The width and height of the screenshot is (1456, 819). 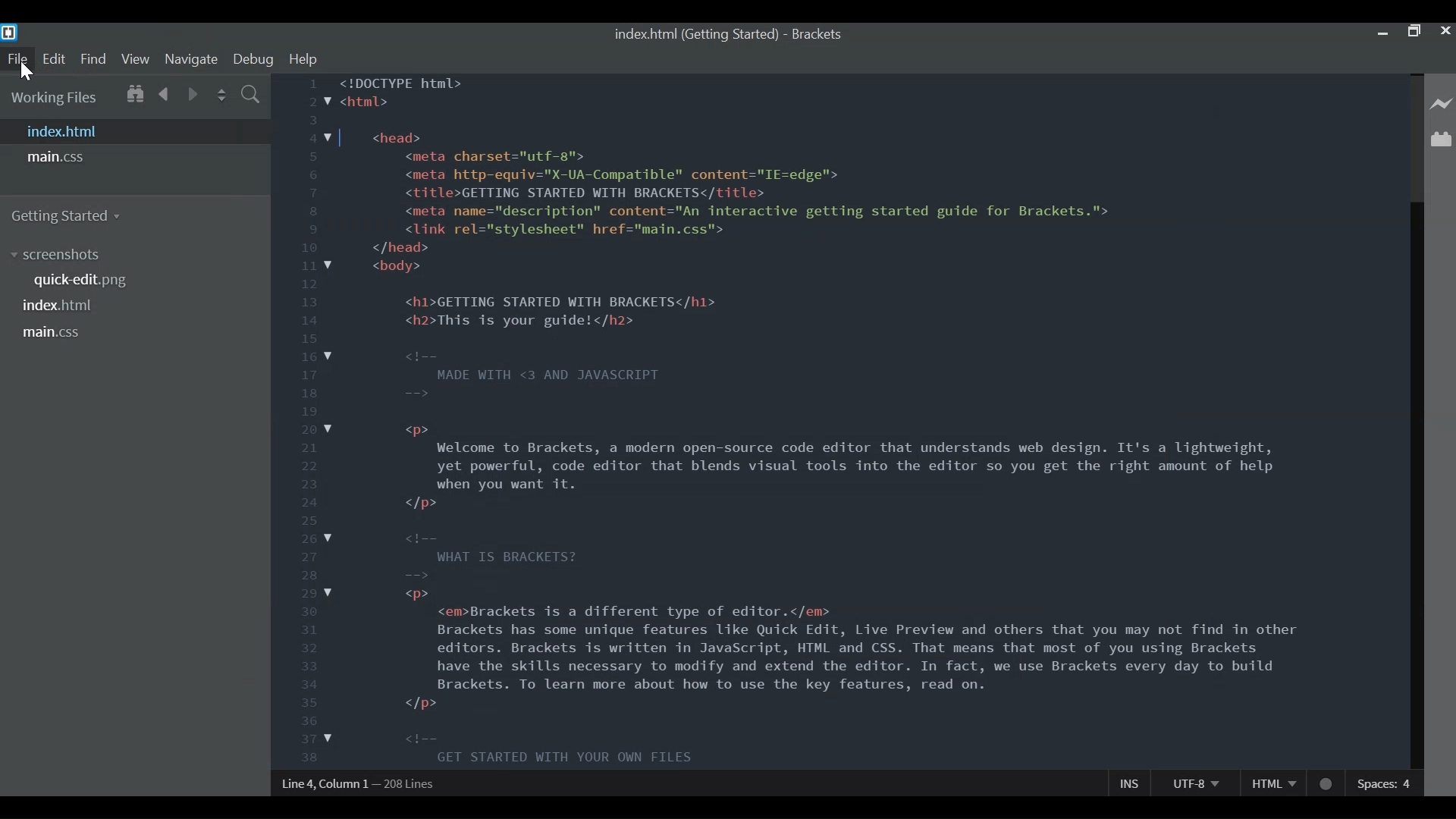 I want to click on screenshots, so click(x=60, y=255).